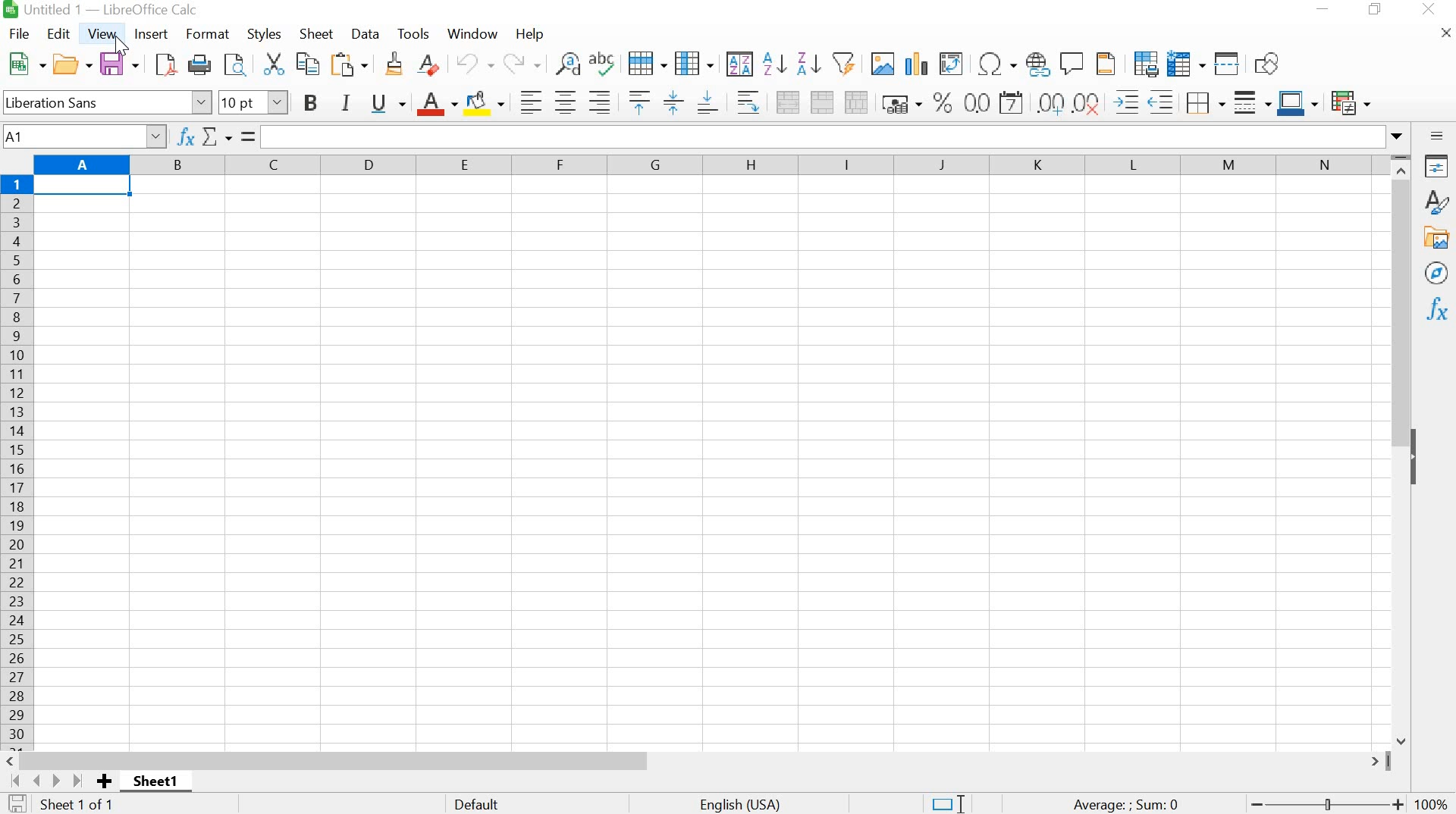 The image size is (1456, 814). Describe the element at coordinates (1109, 64) in the screenshot. I see `HEADERS AND FOOTERS` at that location.